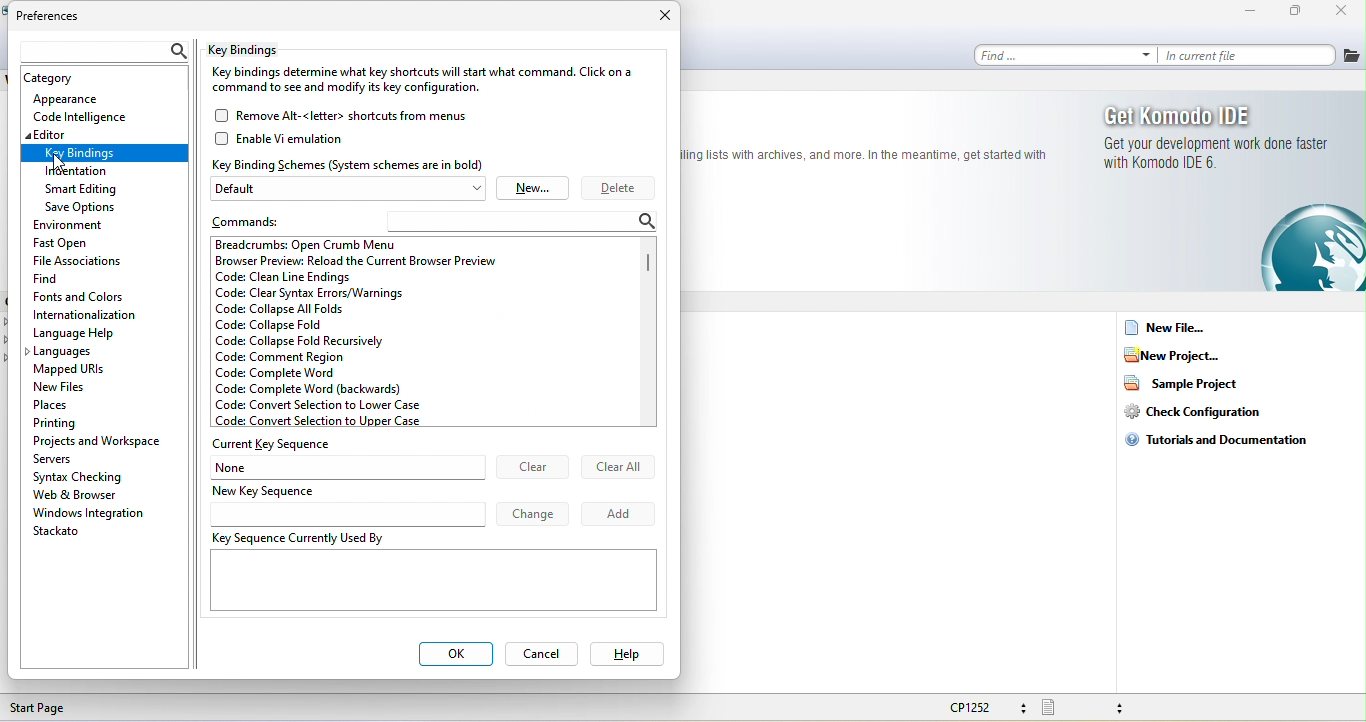 The height and width of the screenshot is (722, 1366). Describe the element at coordinates (286, 309) in the screenshot. I see `code collapse all folds` at that location.